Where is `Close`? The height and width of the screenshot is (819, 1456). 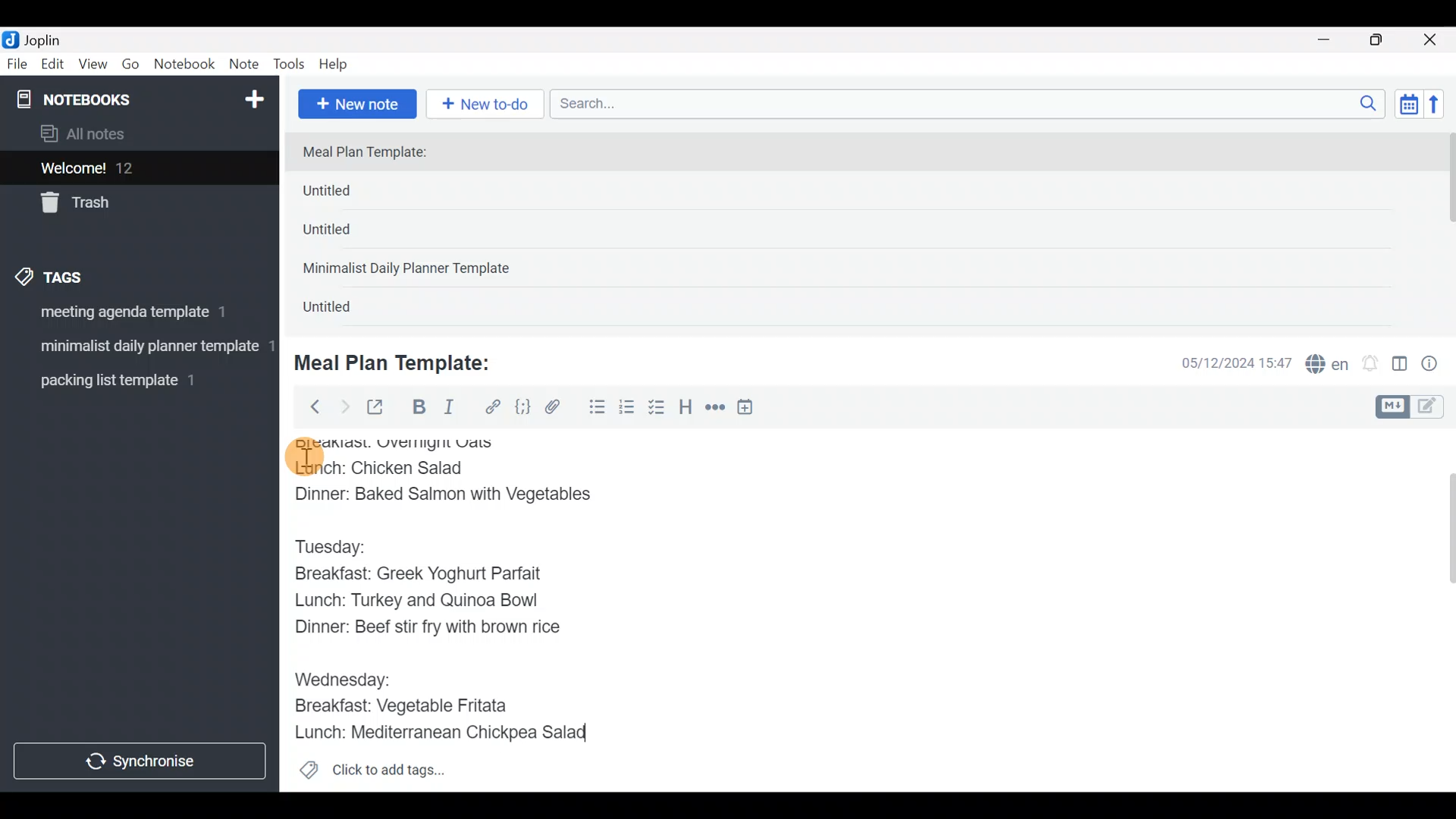
Close is located at coordinates (1432, 41).